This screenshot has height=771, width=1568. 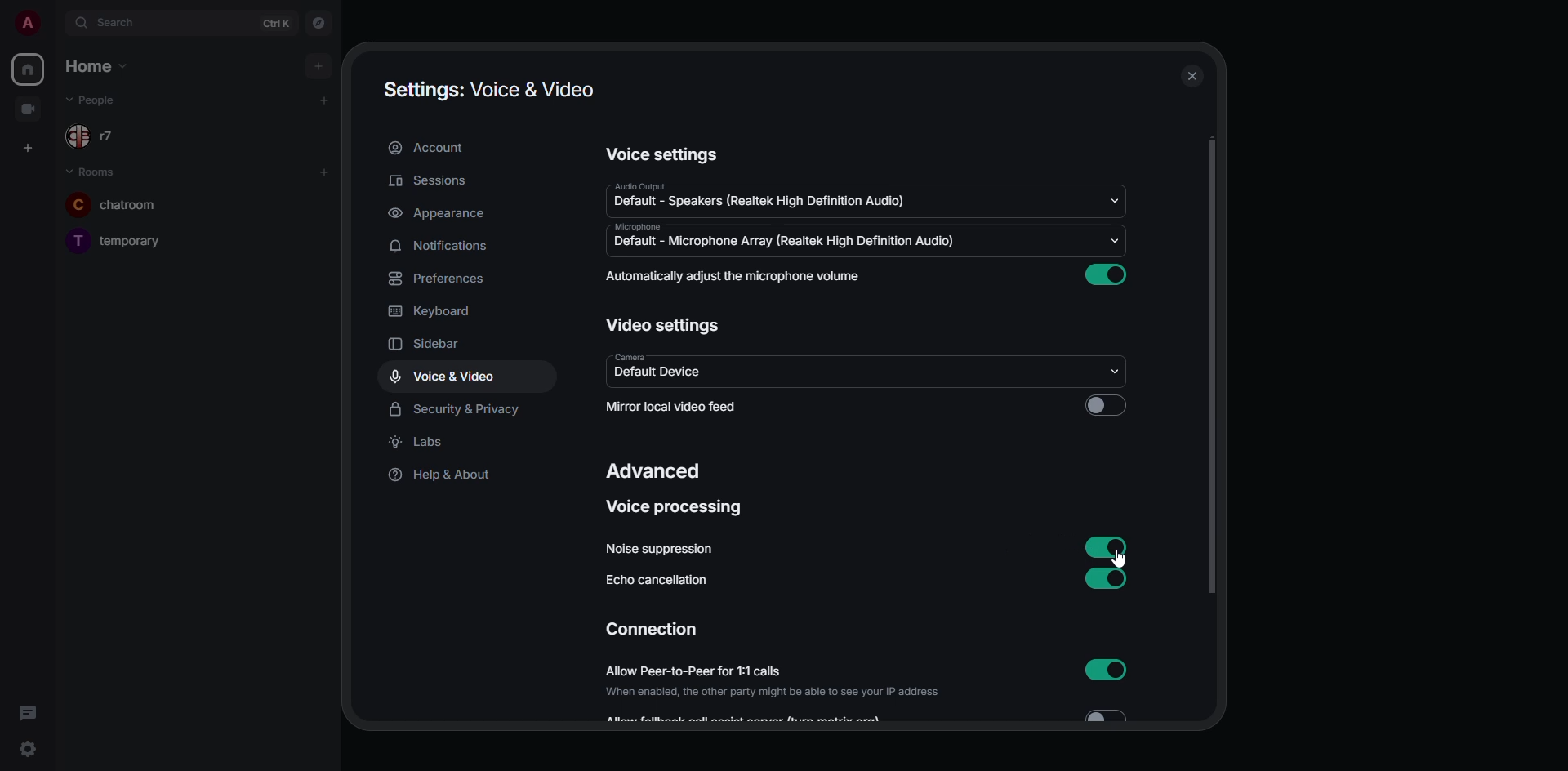 I want to click on microphone, so click(x=640, y=227).